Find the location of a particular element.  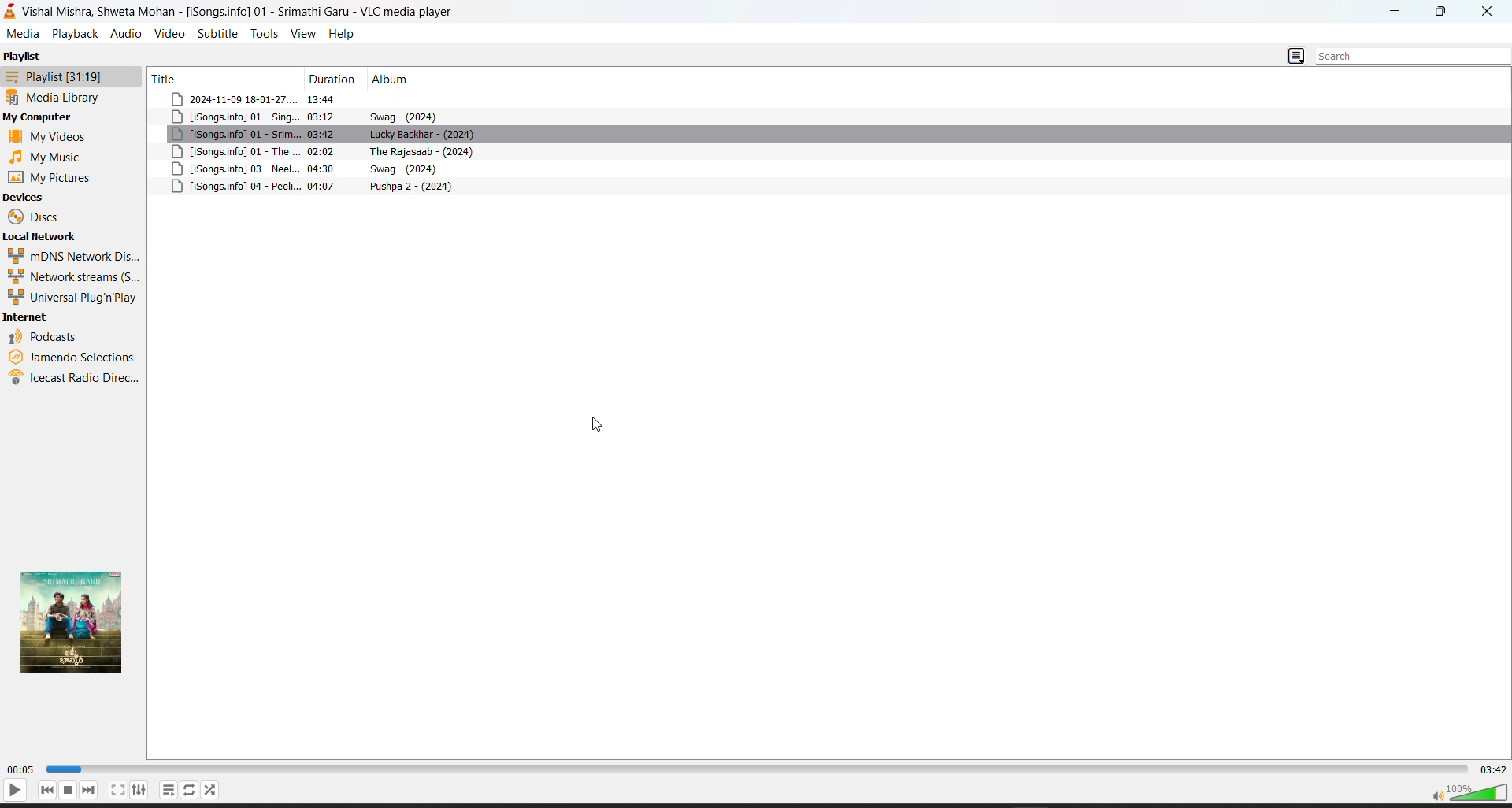

album is located at coordinates (395, 79).